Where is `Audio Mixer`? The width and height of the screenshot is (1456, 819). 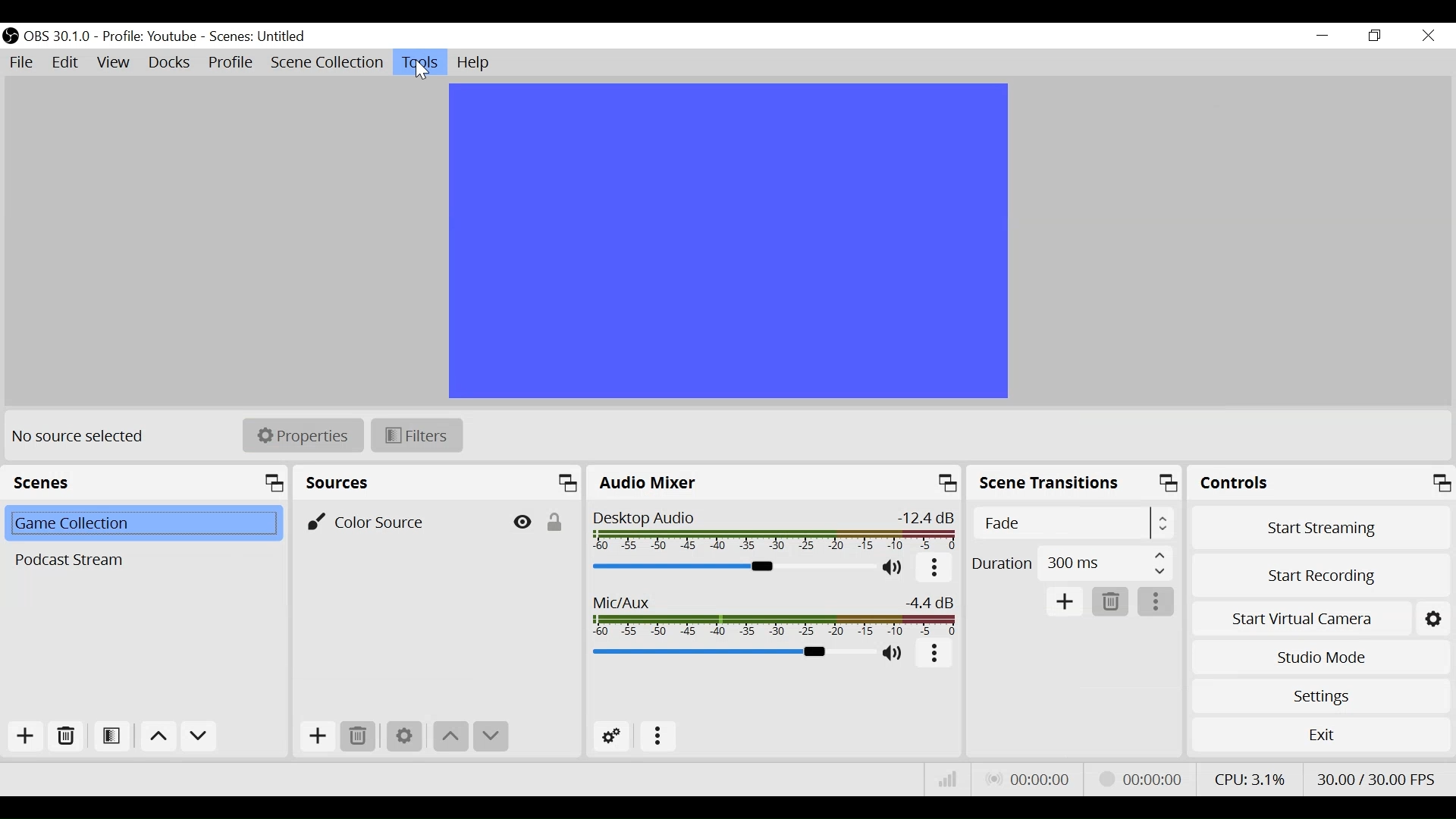 Audio Mixer is located at coordinates (776, 482).